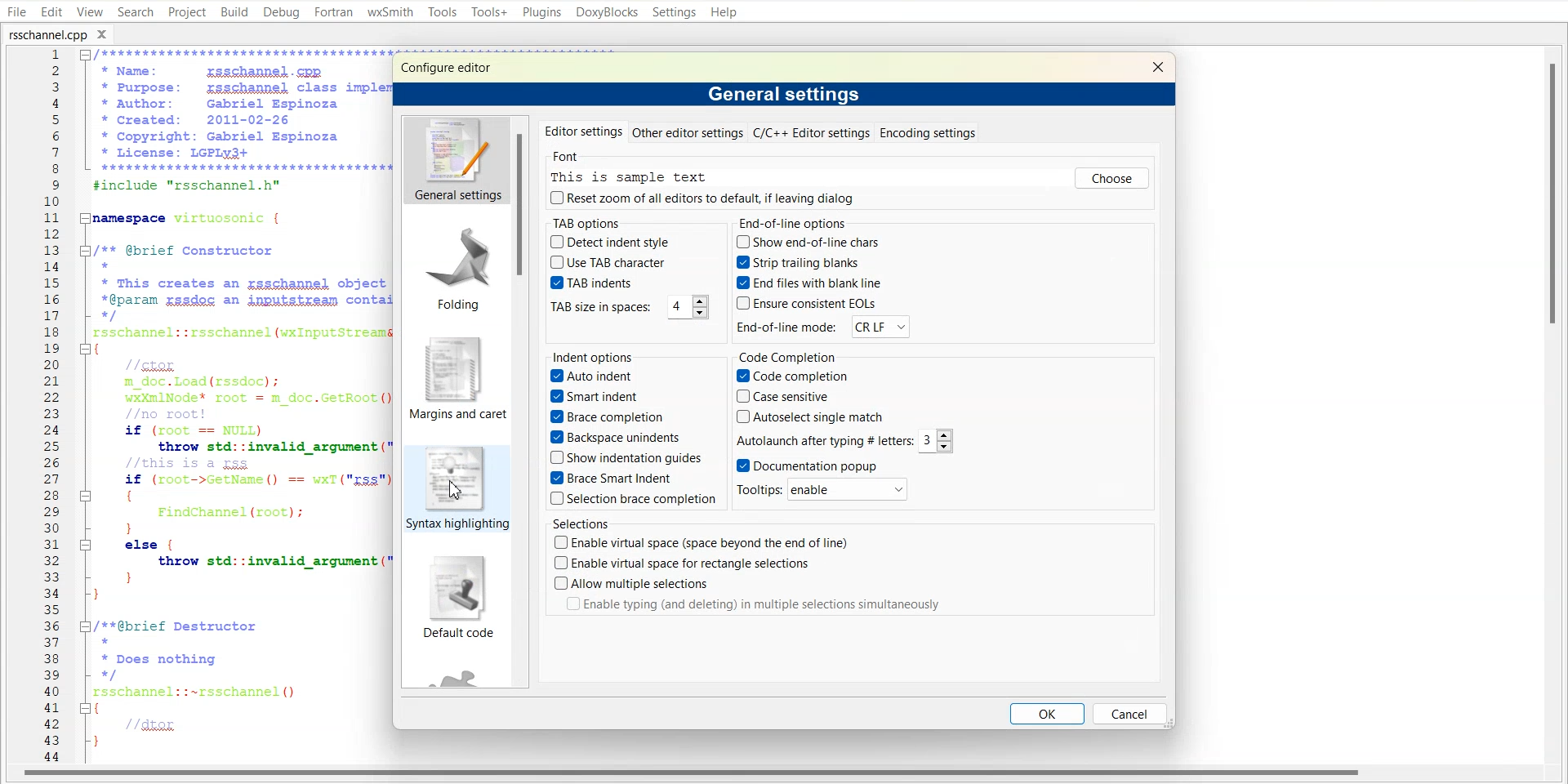 Image resolution: width=1568 pixels, height=784 pixels. I want to click on Tools+, so click(488, 11).